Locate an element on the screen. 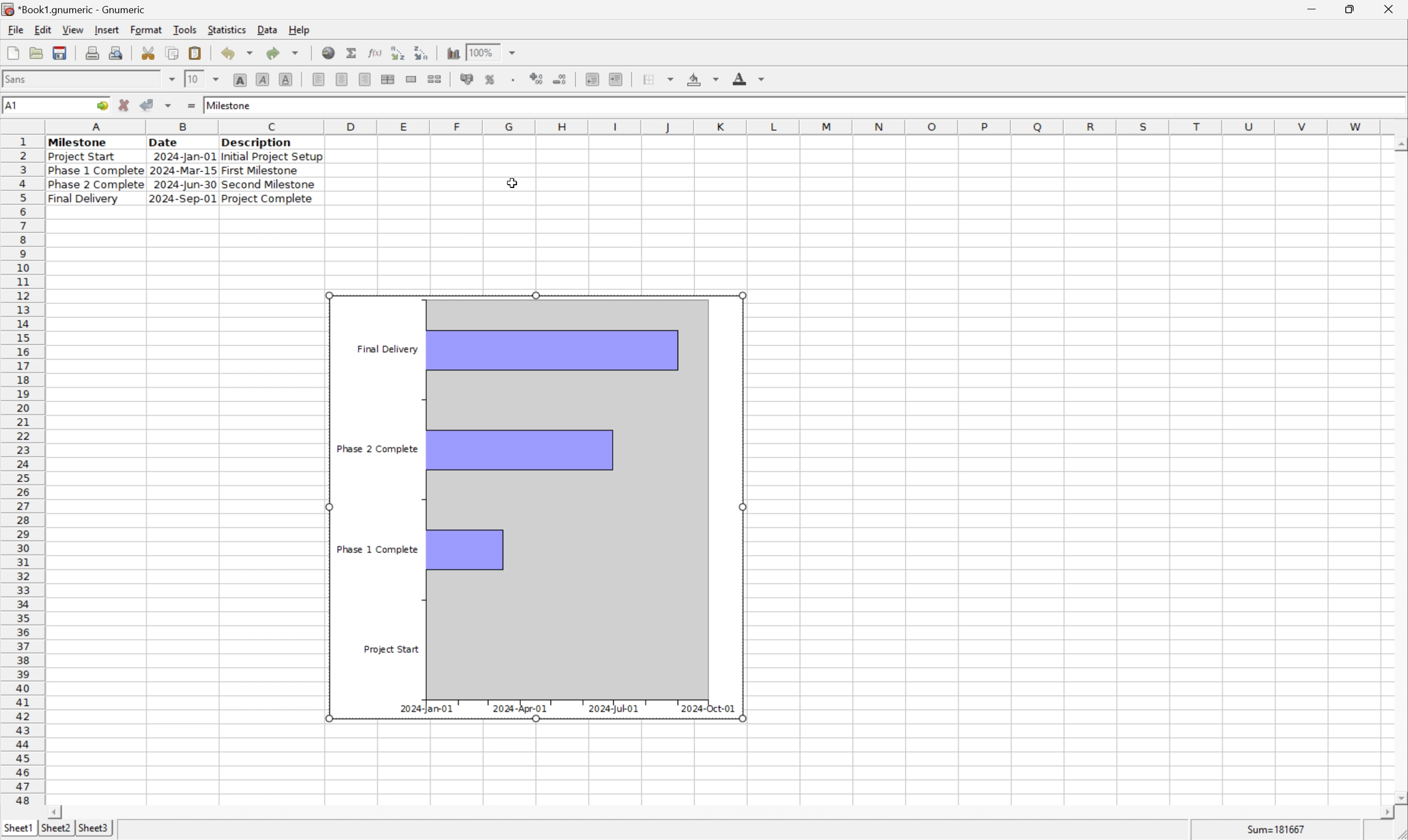 The width and height of the screenshot is (1408, 840). edit is located at coordinates (44, 29).